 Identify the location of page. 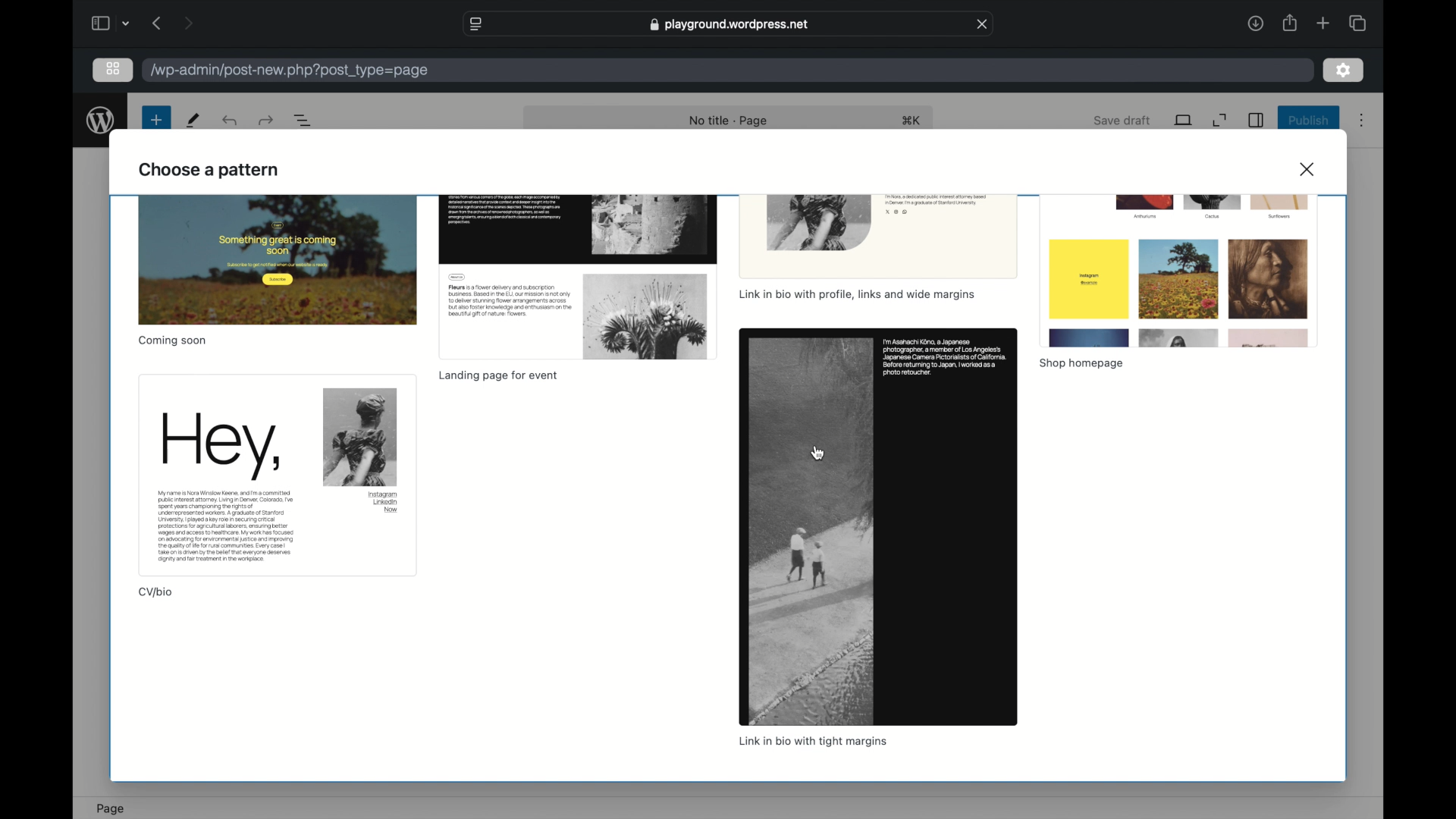
(111, 809).